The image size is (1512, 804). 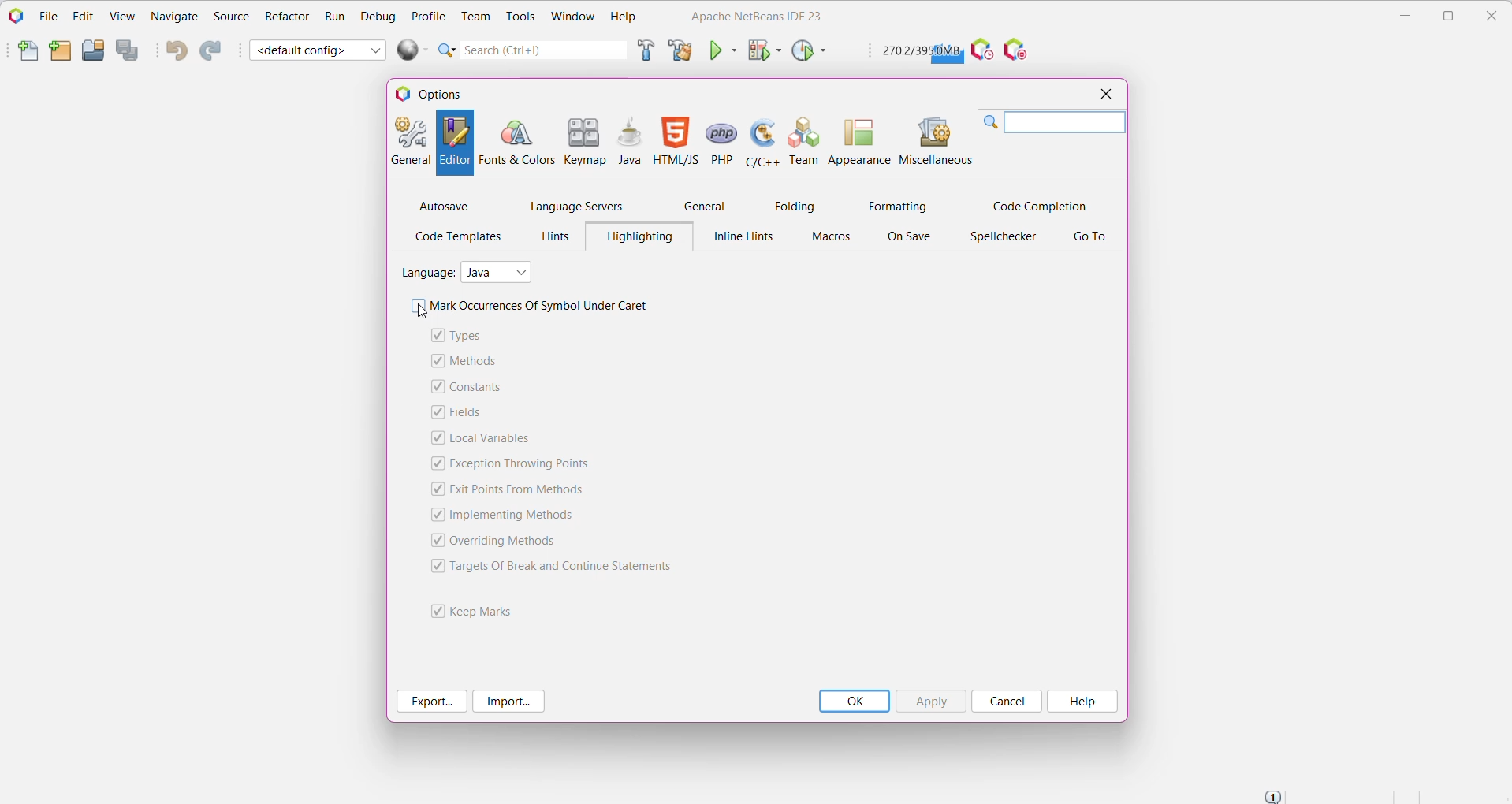 I want to click on Language Servers, so click(x=576, y=207).